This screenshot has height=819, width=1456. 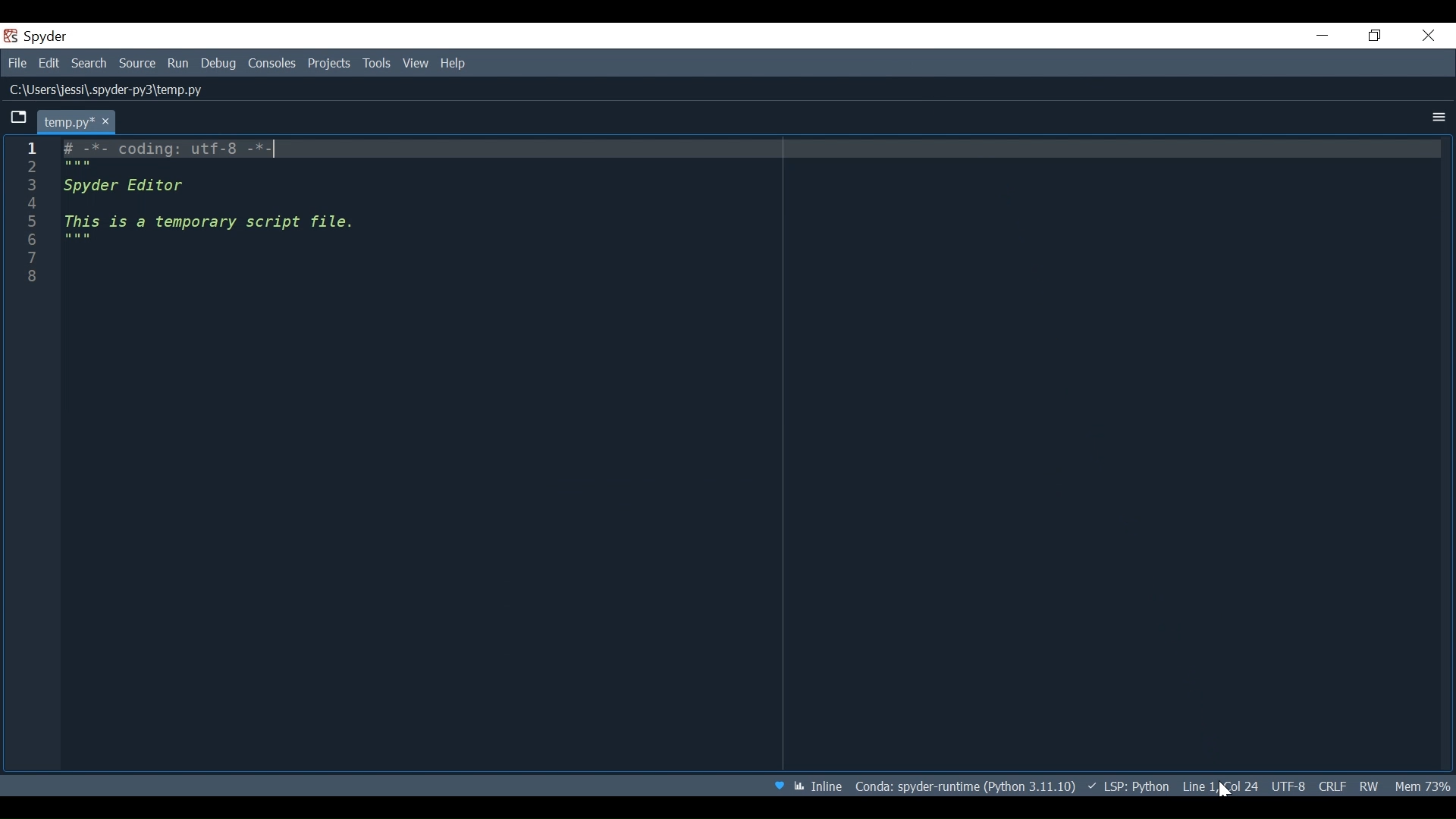 I want to click on View, so click(x=416, y=64).